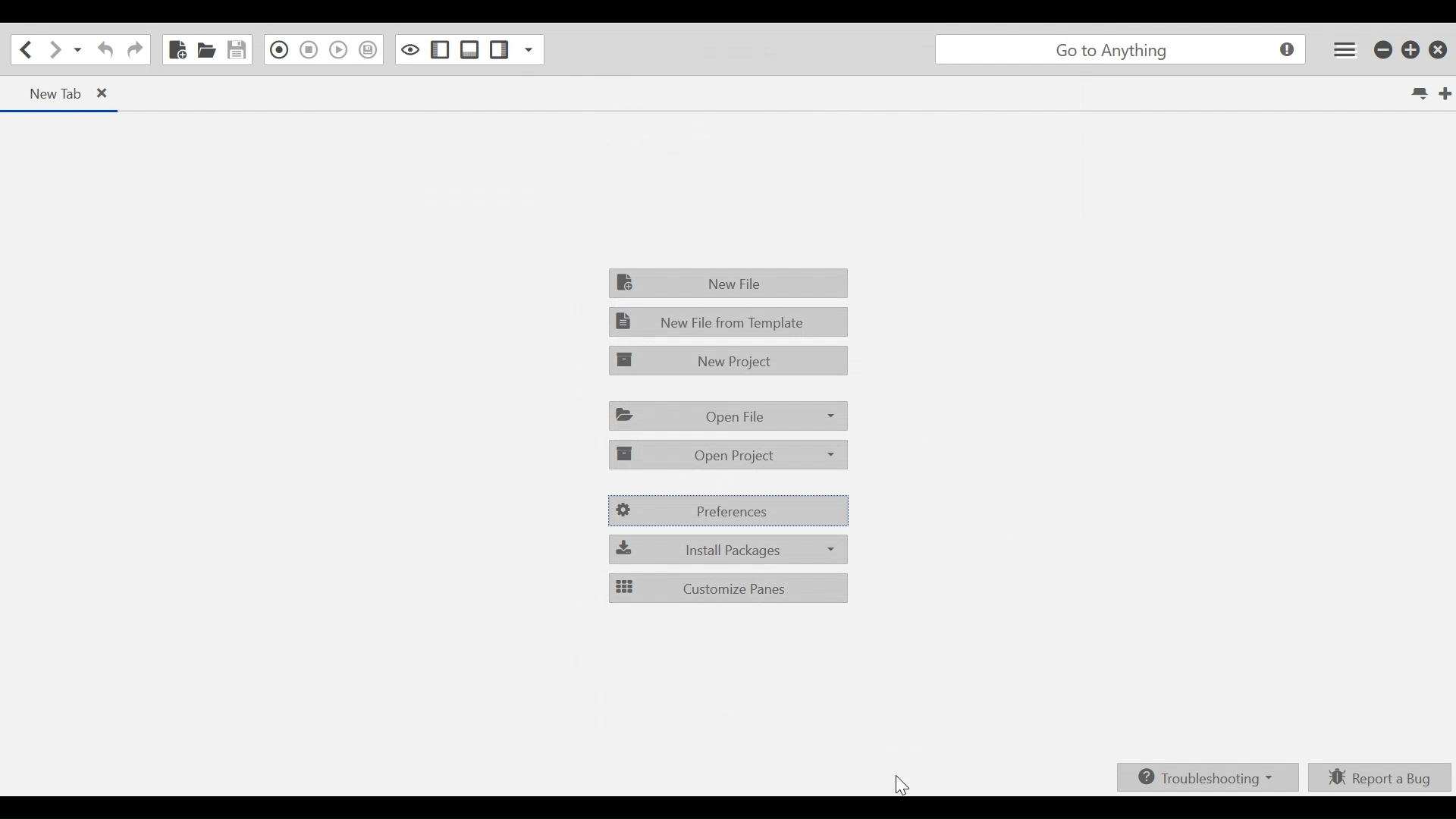  Describe the element at coordinates (729, 322) in the screenshot. I see `New File From Template` at that location.